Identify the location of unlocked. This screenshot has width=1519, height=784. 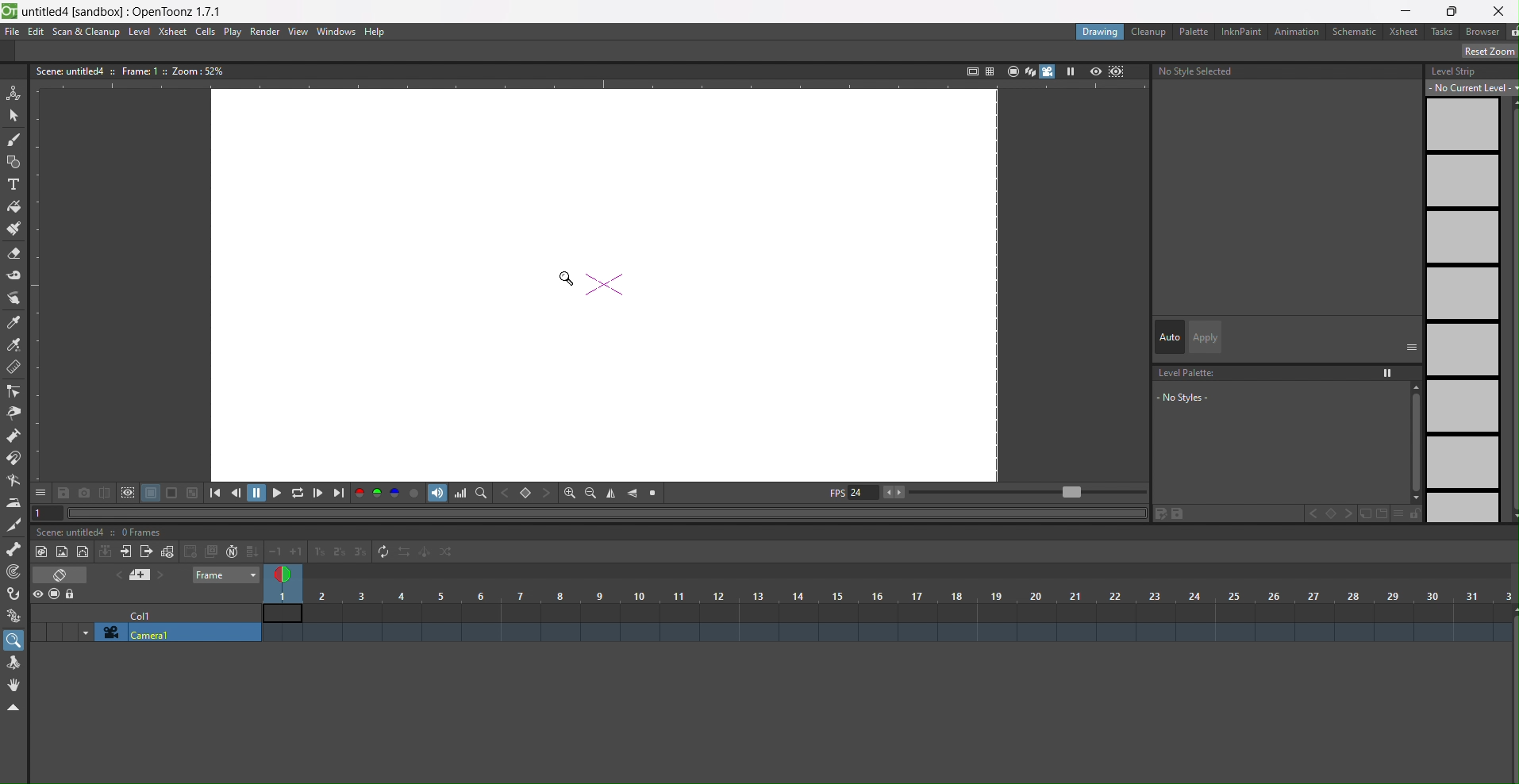
(1509, 32).